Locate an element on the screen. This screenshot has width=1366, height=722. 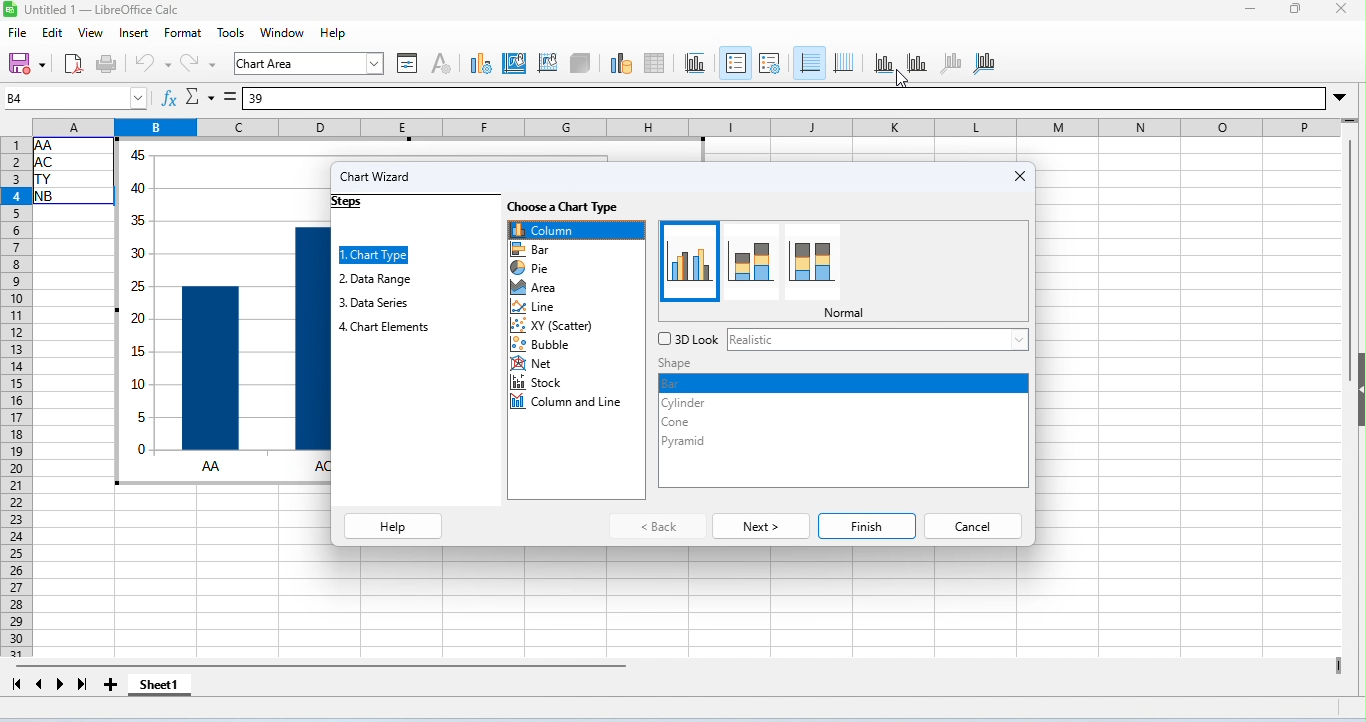
AC is located at coordinates (316, 466).